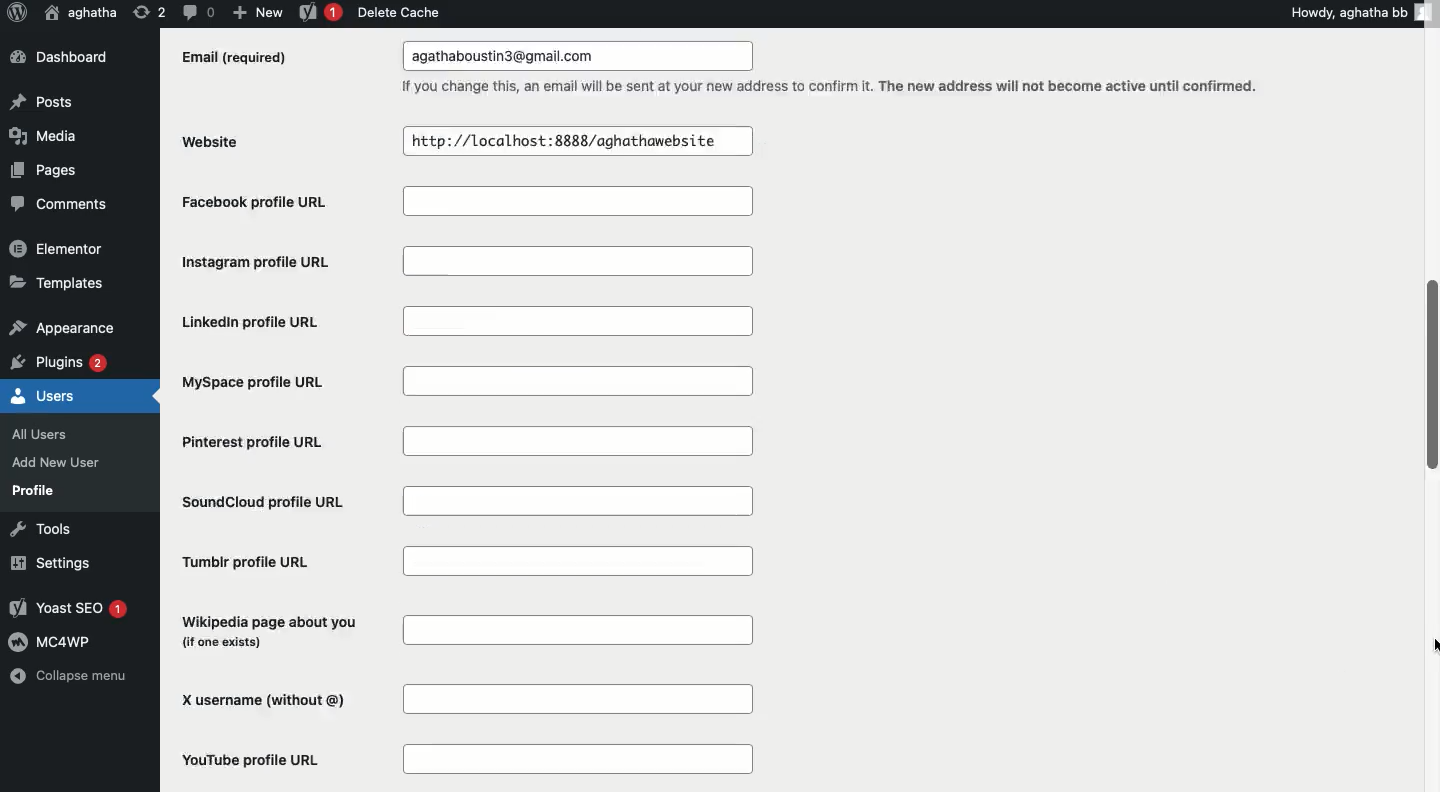 Image resolution: width=1440 pixels, height=792 pixels. What do you see at coordinates (34, 490) in the screenshot?
I see `Profile` at bounding box center [34, 490].